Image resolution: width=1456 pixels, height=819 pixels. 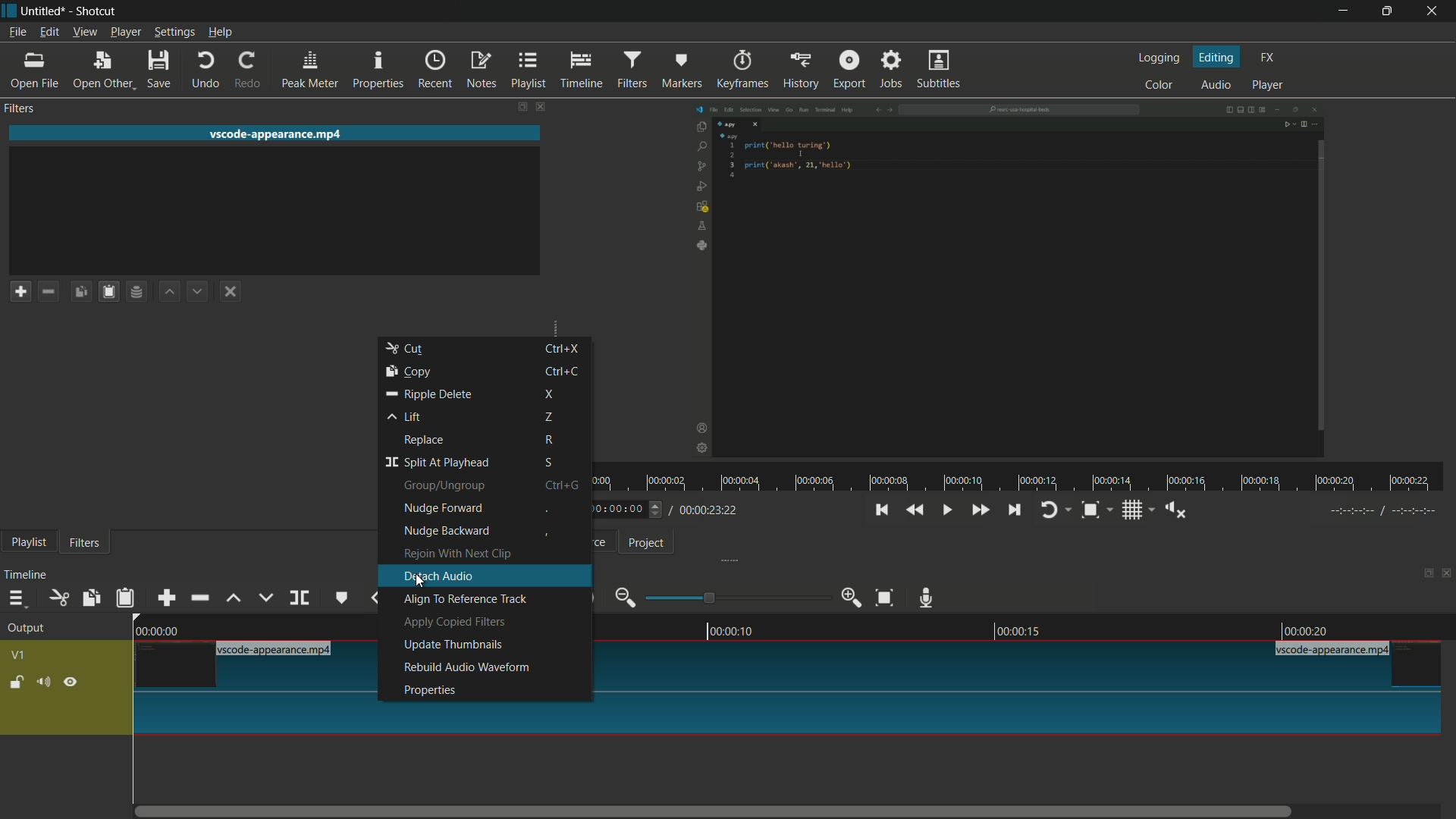 I want to click on toggle play or pause, so click(x=944, y=510).